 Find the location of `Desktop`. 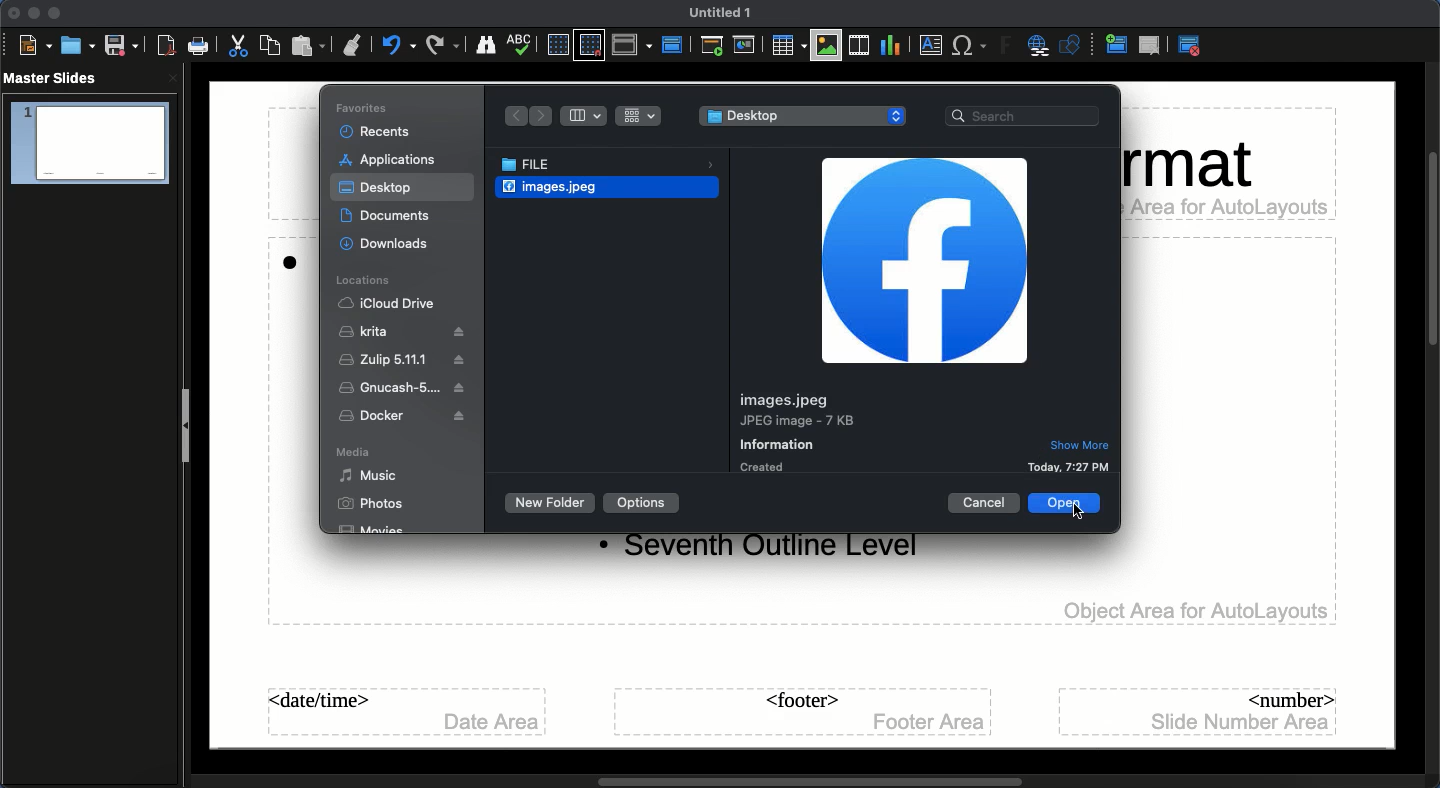

Desktop is located at coordinates (376, 188).